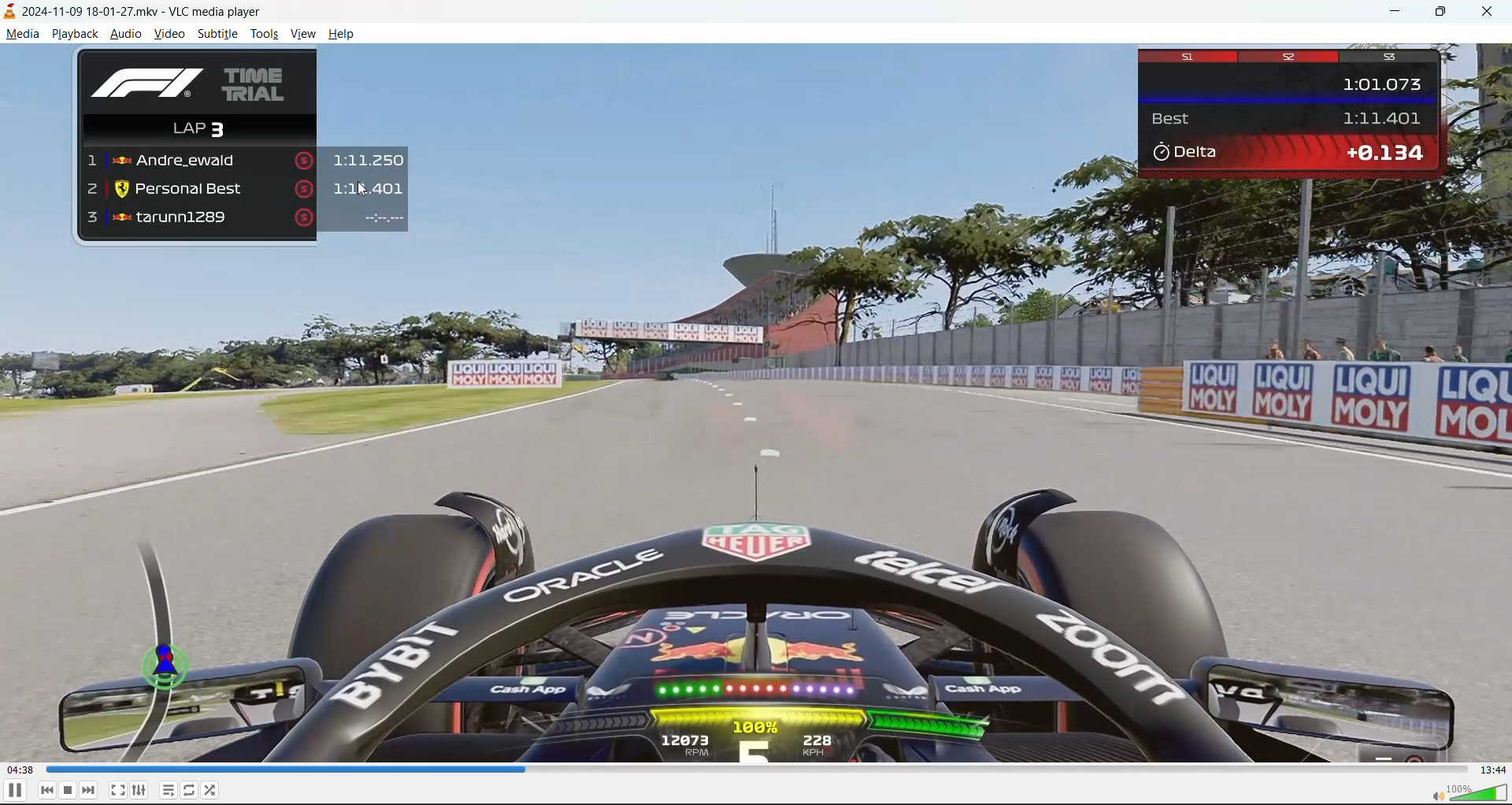 Image resolution: width=1512 pixels, height=805 pixels. What do you see at coordinates (218, 33) in the screenshot?
I see `subtitle` at bounding box center [218, 33].